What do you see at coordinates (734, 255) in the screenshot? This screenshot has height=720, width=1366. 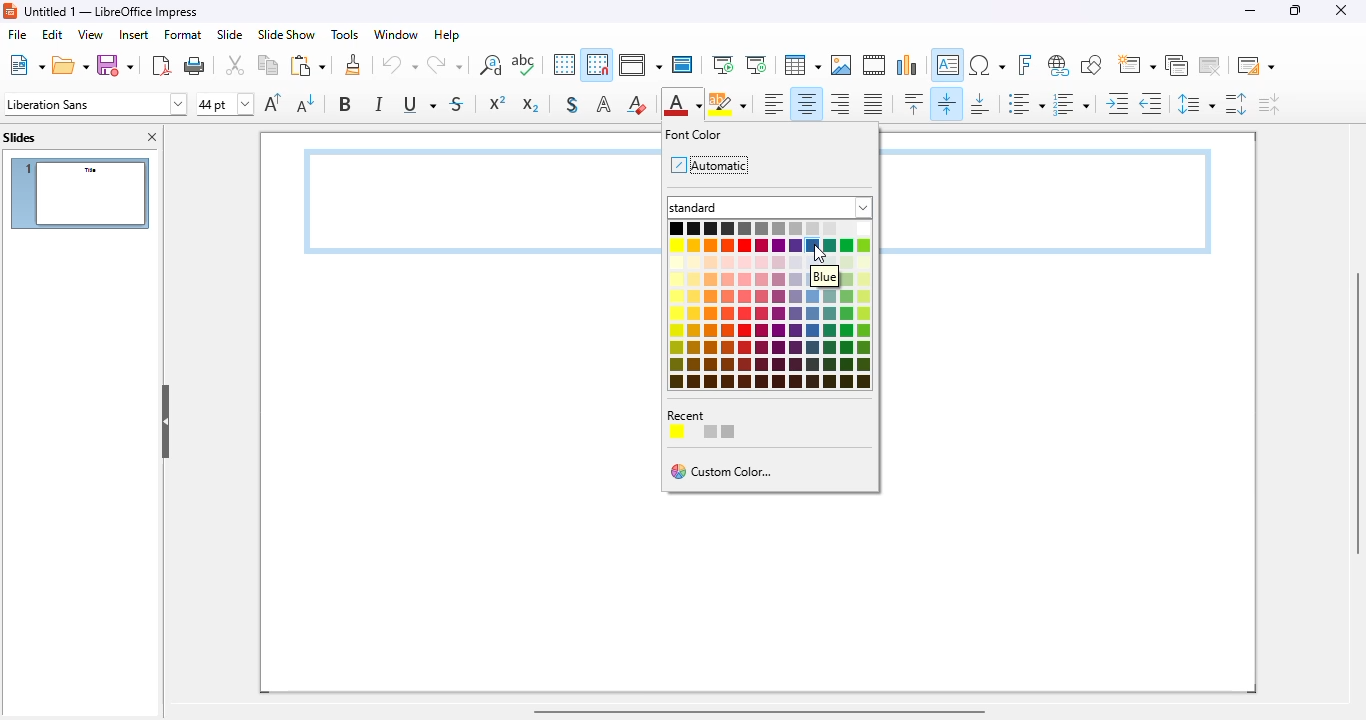 I see `other font colors` at bounding box center [734, 255].